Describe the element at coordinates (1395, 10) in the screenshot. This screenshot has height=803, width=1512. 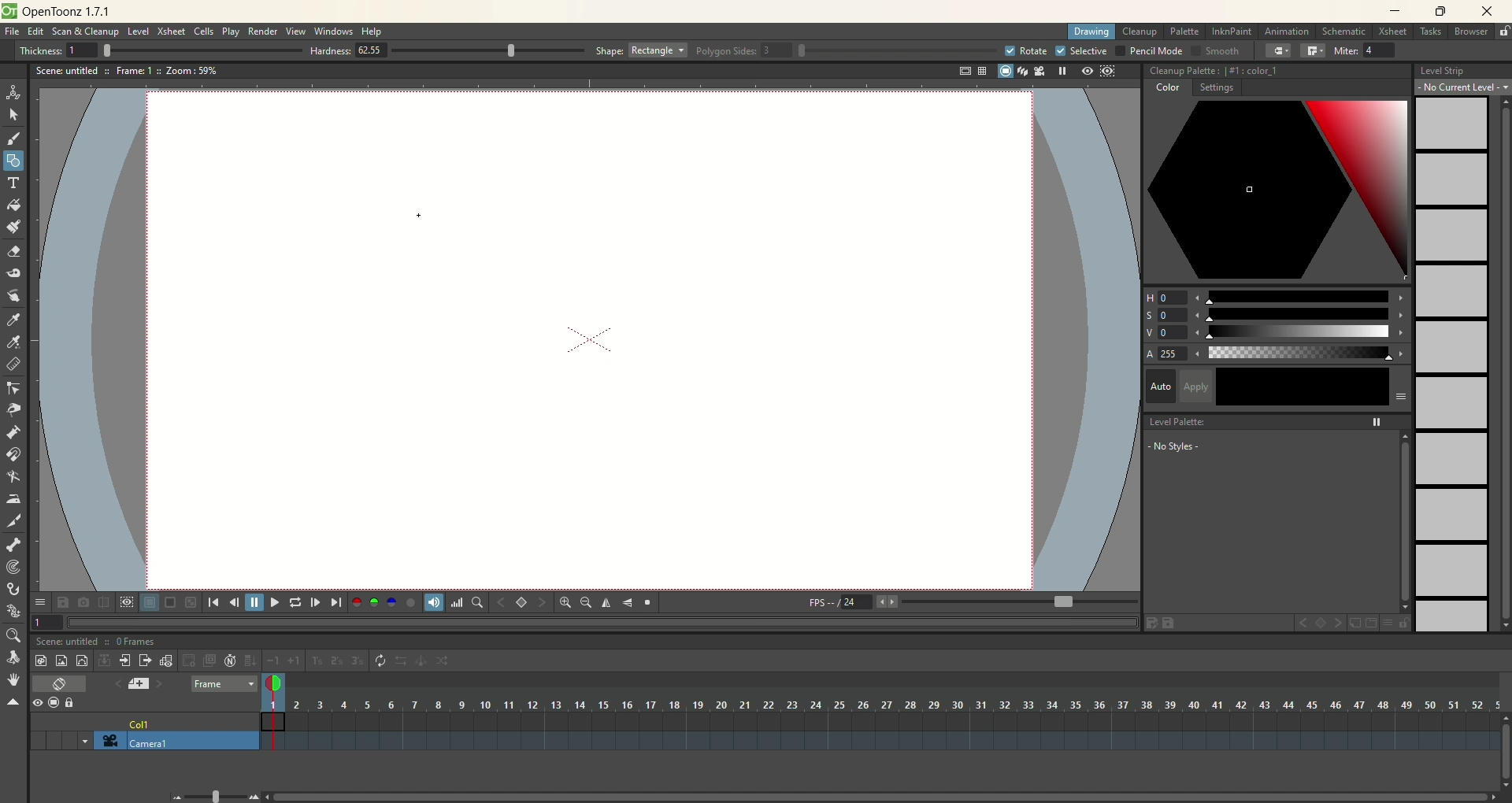
I see `minimize` at that location.